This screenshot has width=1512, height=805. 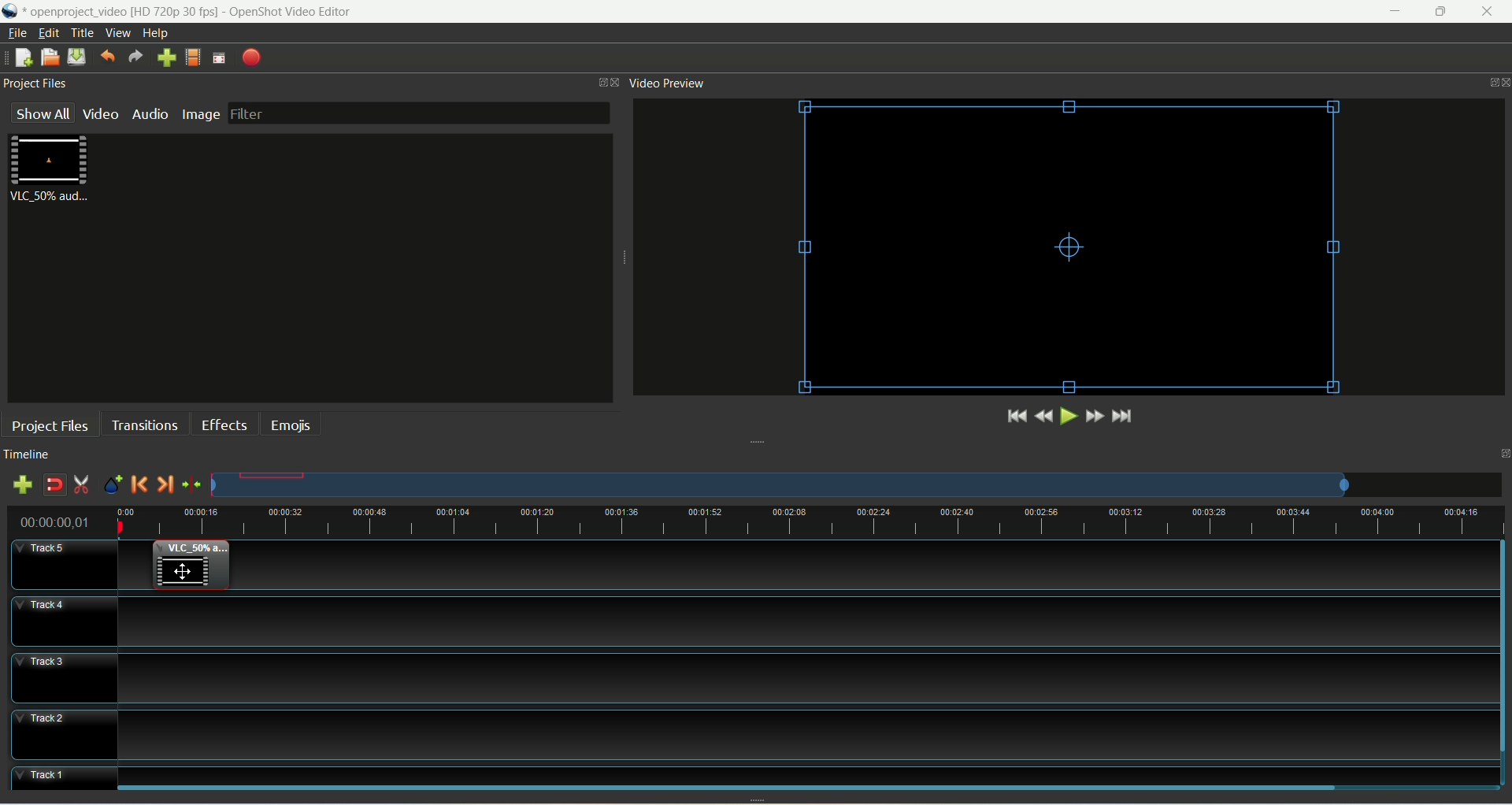 What do you see at coordinates (1399, 11) in the screenshot?
I see `minimize` at bounding box center [1399, 11].